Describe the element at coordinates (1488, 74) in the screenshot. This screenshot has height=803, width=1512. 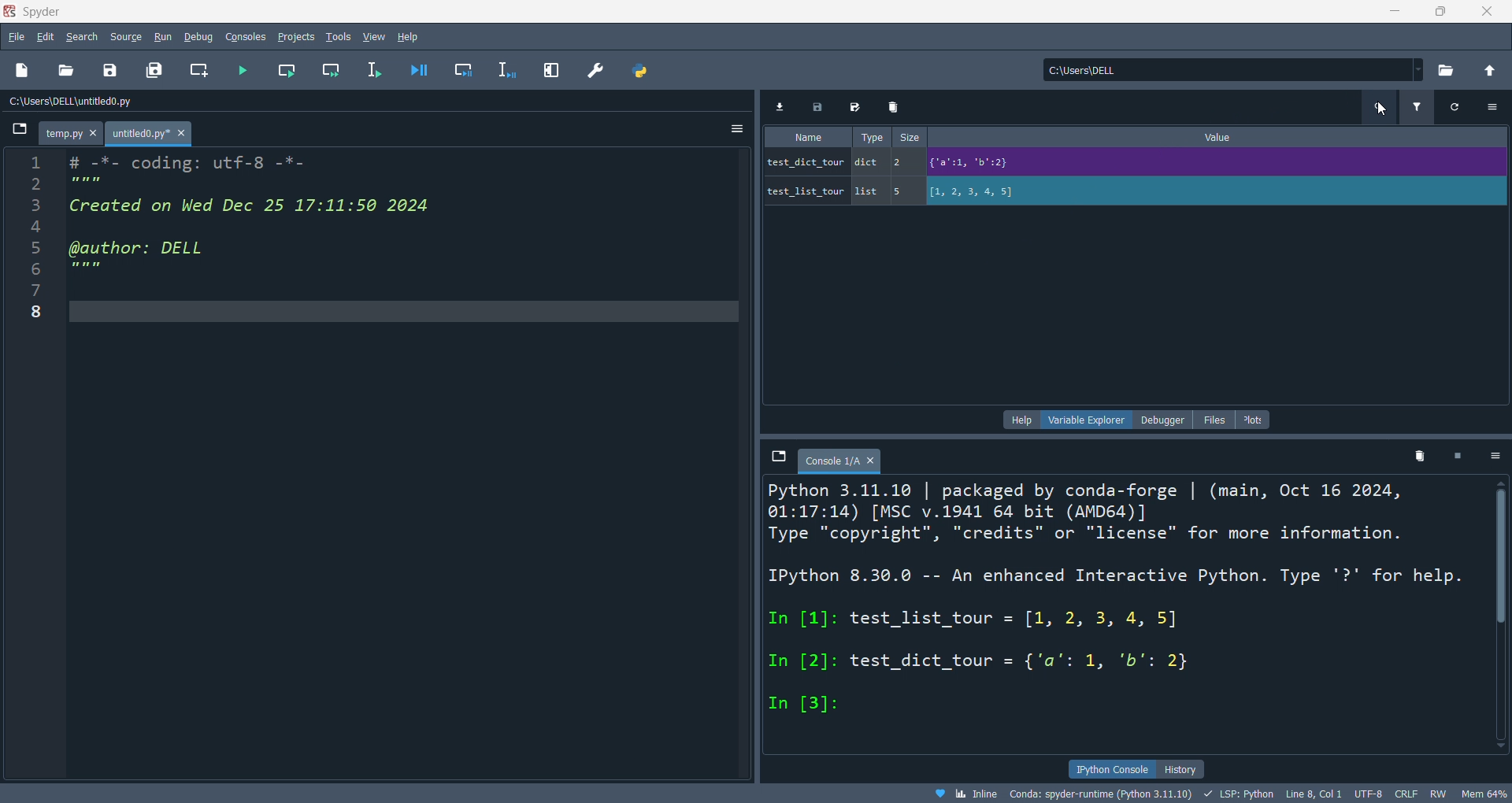
I see `open parent directory` at that location.